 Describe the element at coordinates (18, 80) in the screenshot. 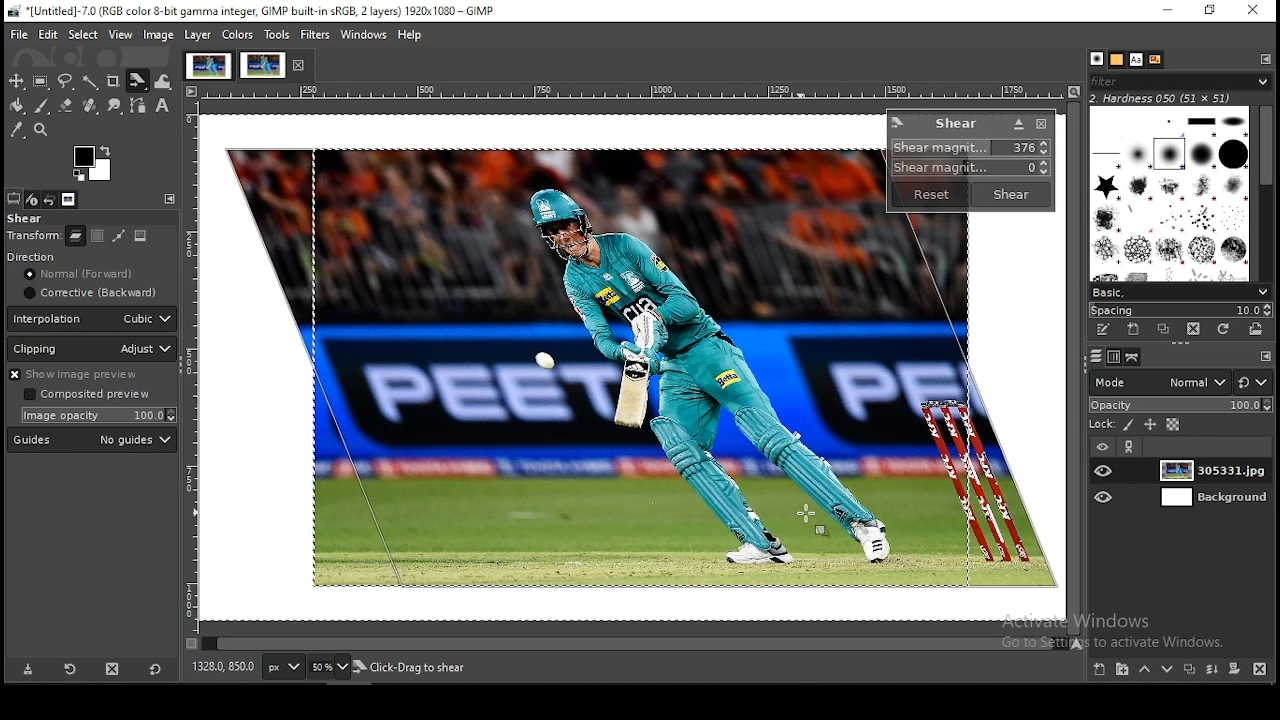

I see `selection tool` at that location.